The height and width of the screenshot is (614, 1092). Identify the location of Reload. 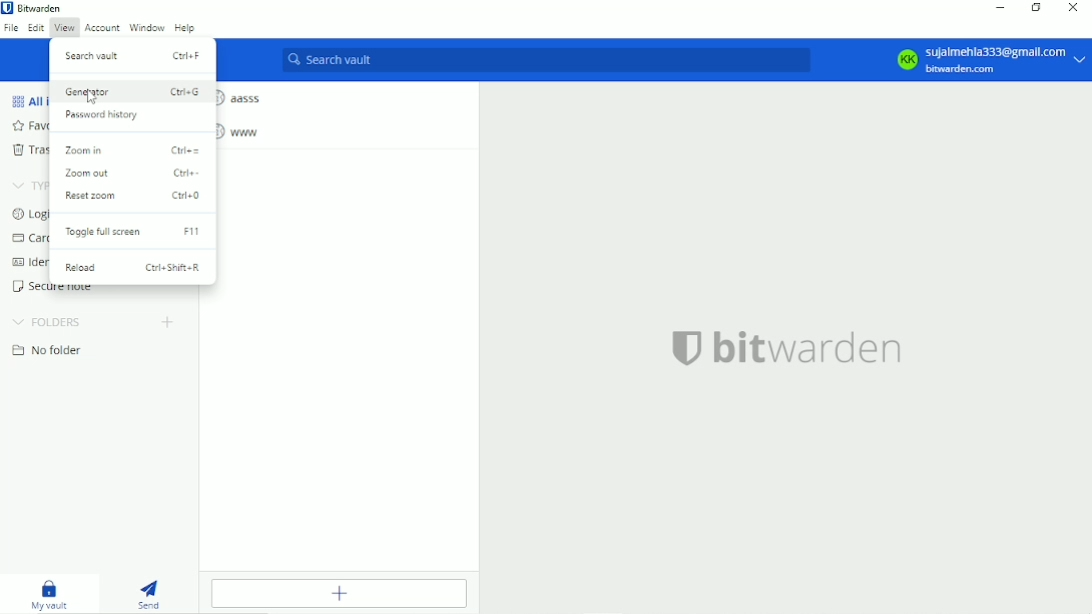
(134, 268).